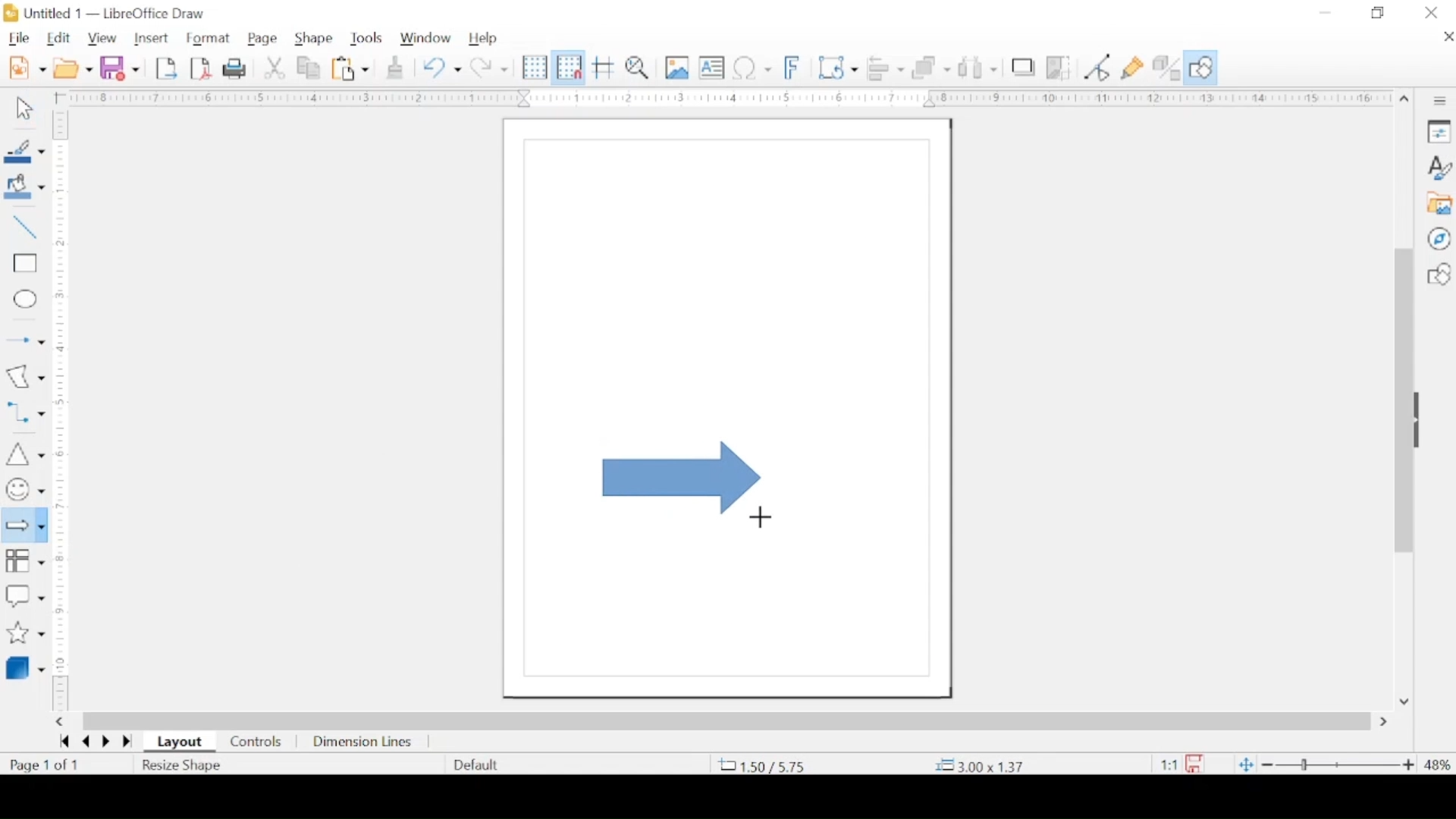  Describe the element at coordinates (1432, 13) in the screenshot. I see `close` at that location.